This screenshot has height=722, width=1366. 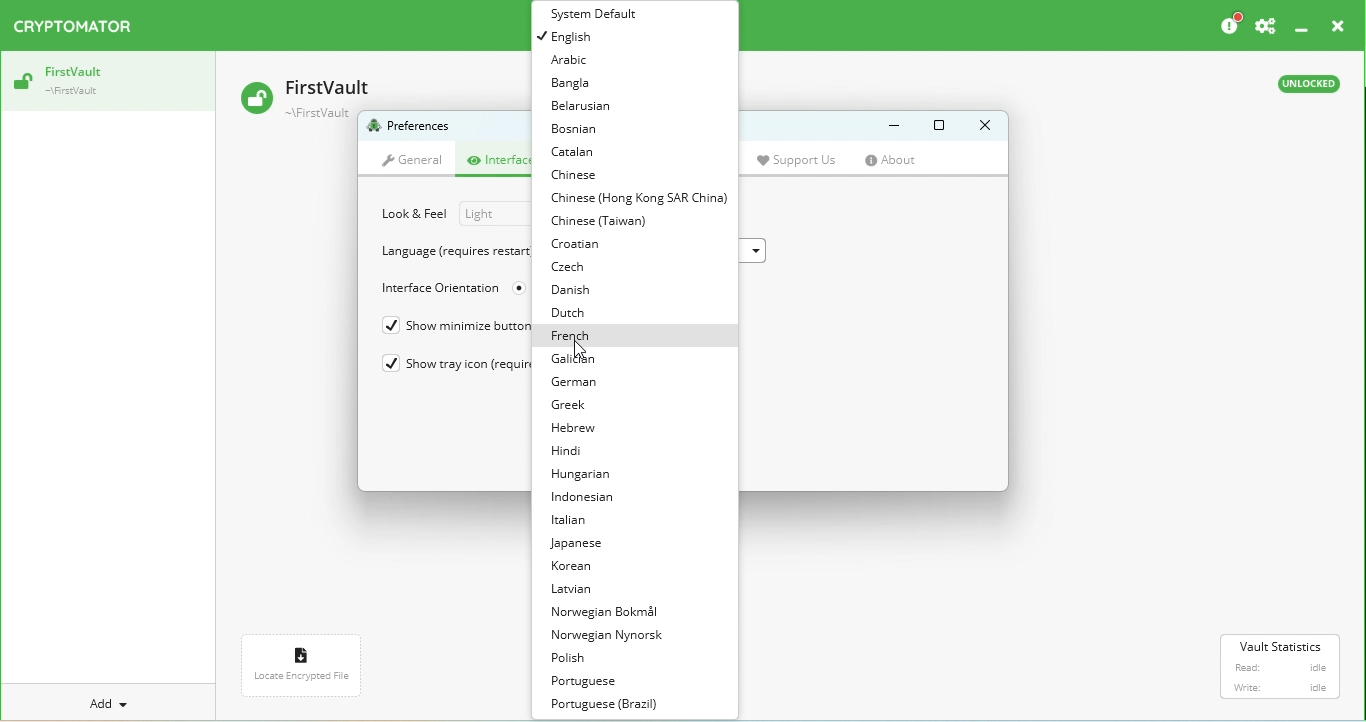 What do you see at coordinates (1266, 26) in the screenshot?
I see `Preferences` at bounding box center [1266, 26].